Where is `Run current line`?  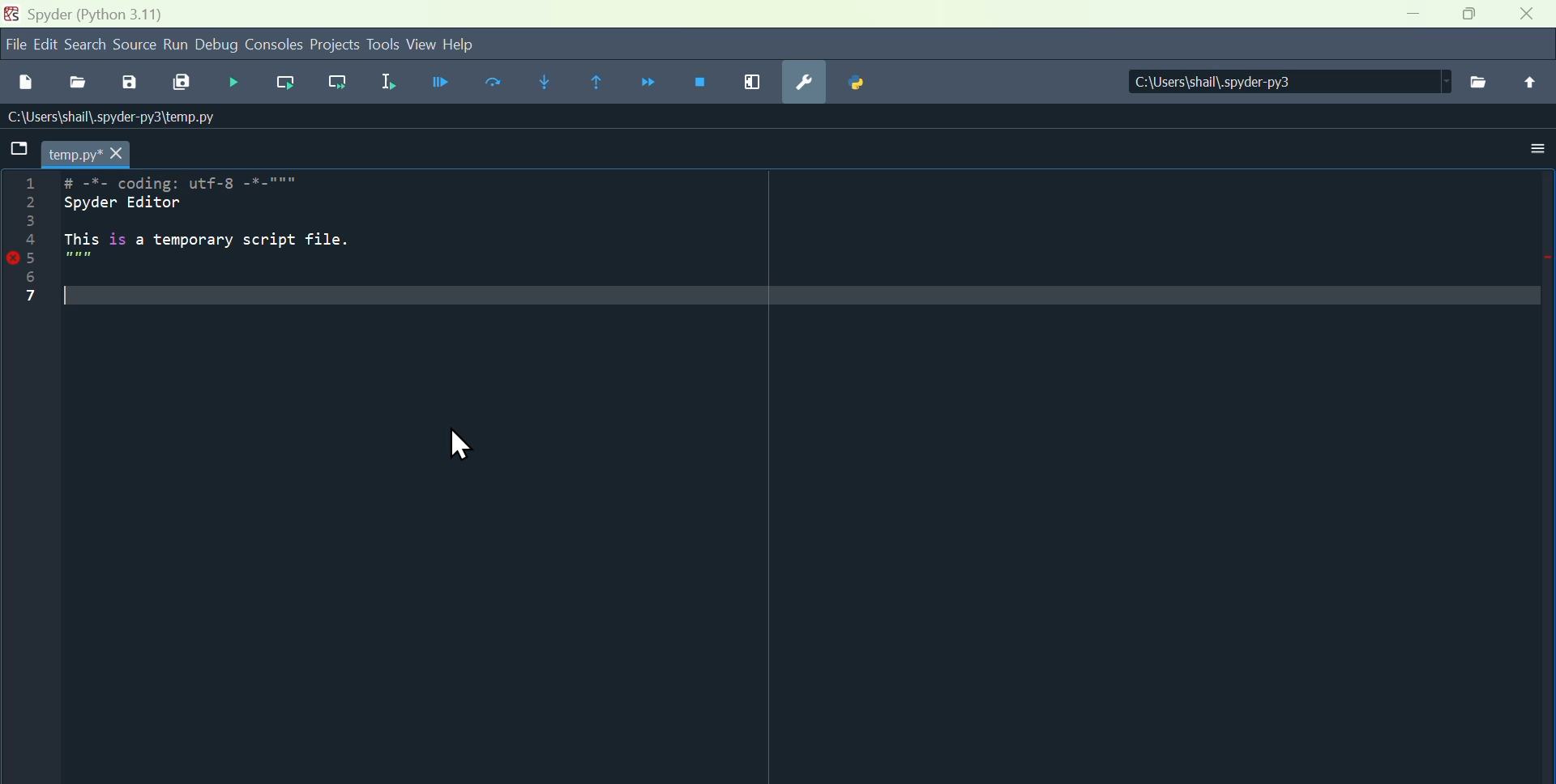 Run current line is located at coordinates (289, 83).